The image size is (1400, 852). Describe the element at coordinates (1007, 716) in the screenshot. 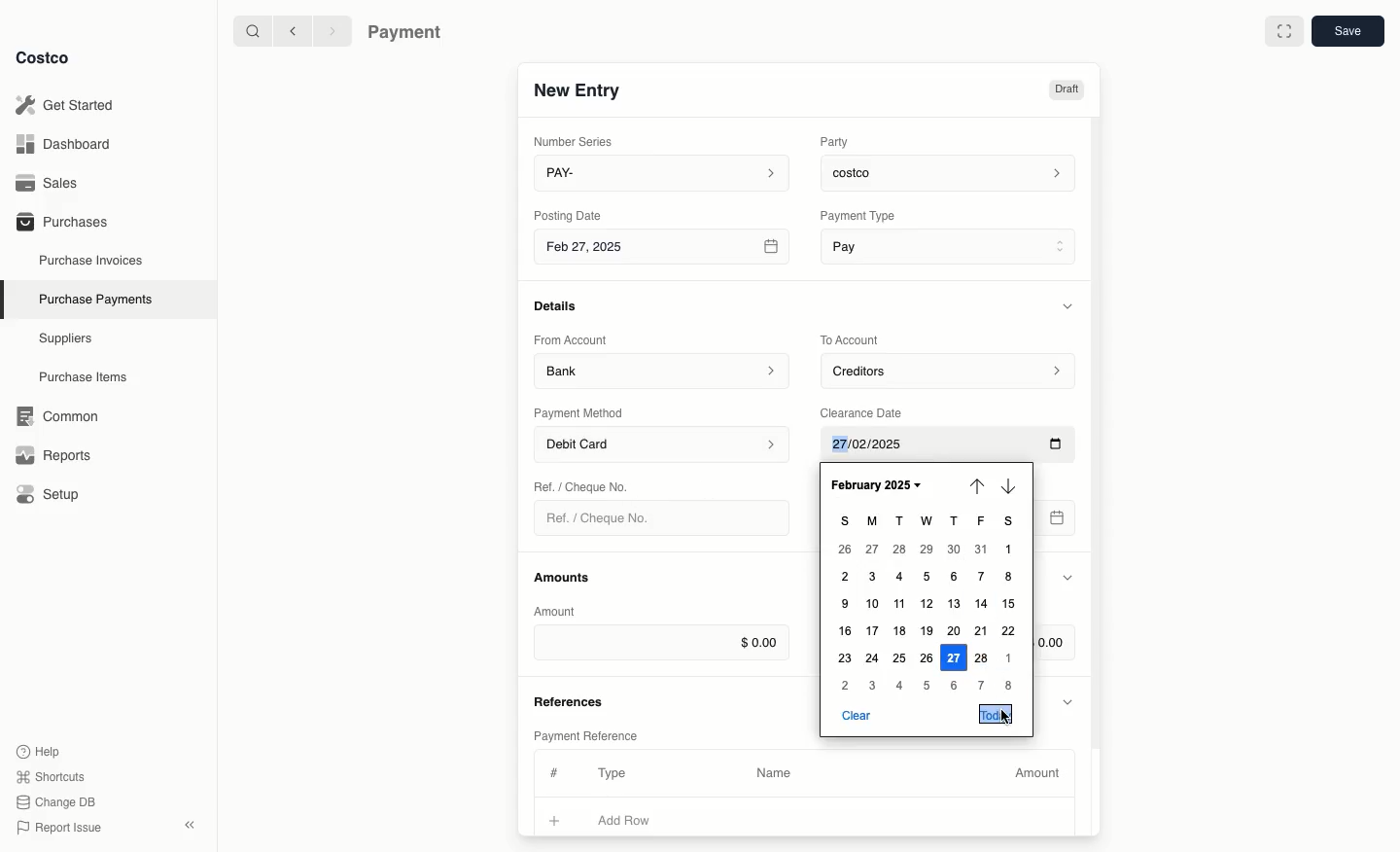

I see `cursor` at that location.